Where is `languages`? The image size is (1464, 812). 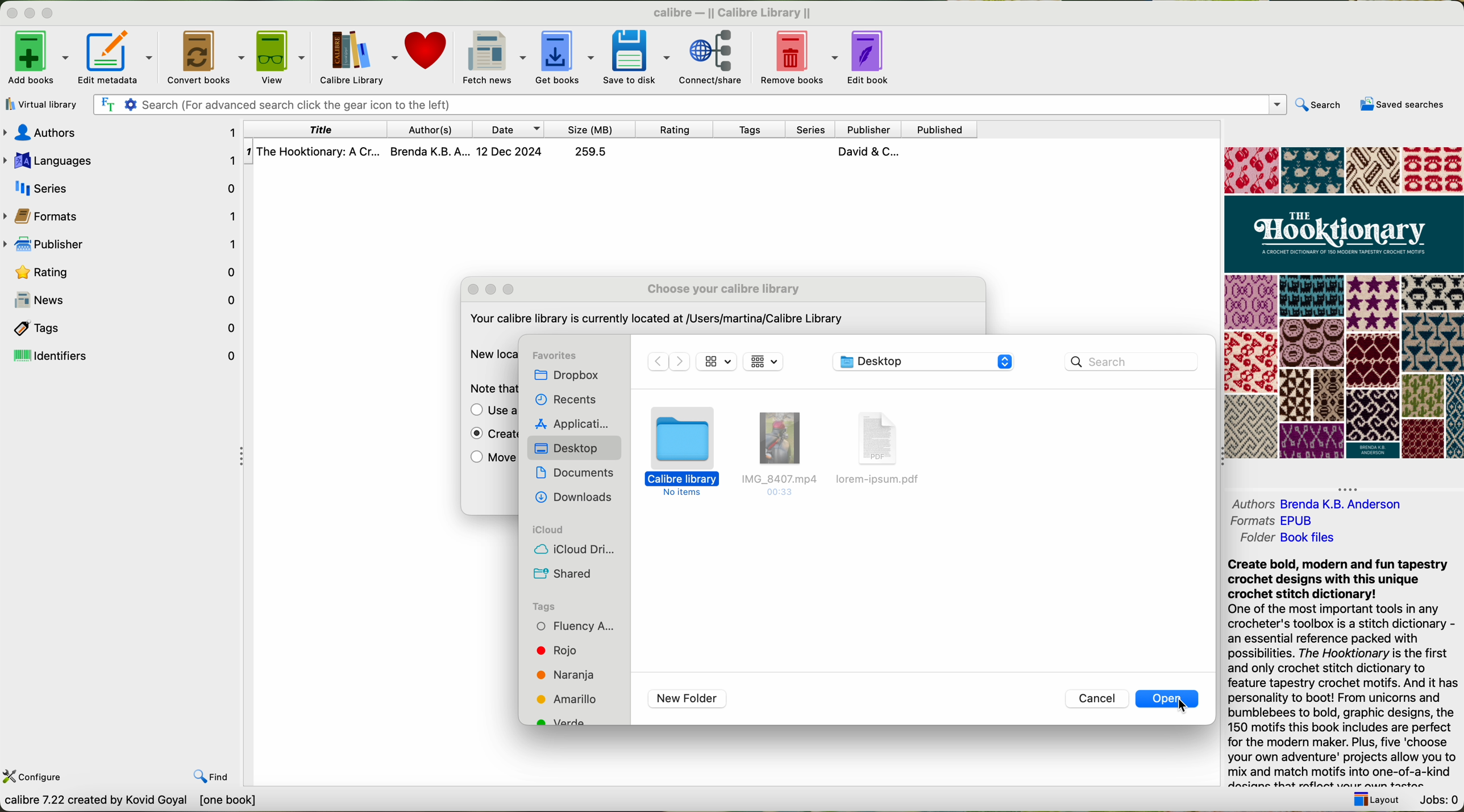 languages is located at coordinates (121, 159).